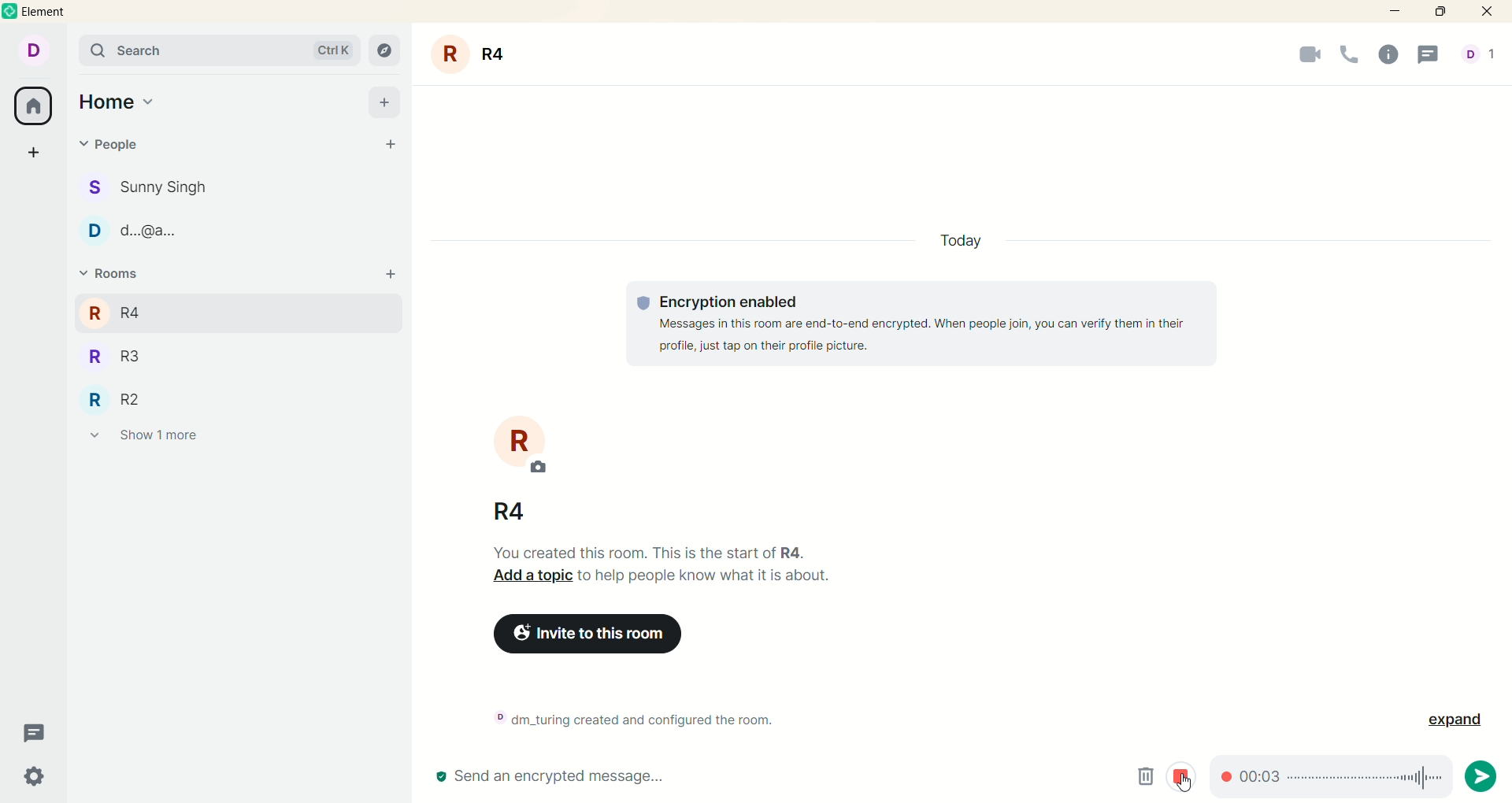 This screenshot has height=803, width=1512. What do you see at coordinates (384, 102) in the screenshot?
I see `add` at bounding box center [384, 102].